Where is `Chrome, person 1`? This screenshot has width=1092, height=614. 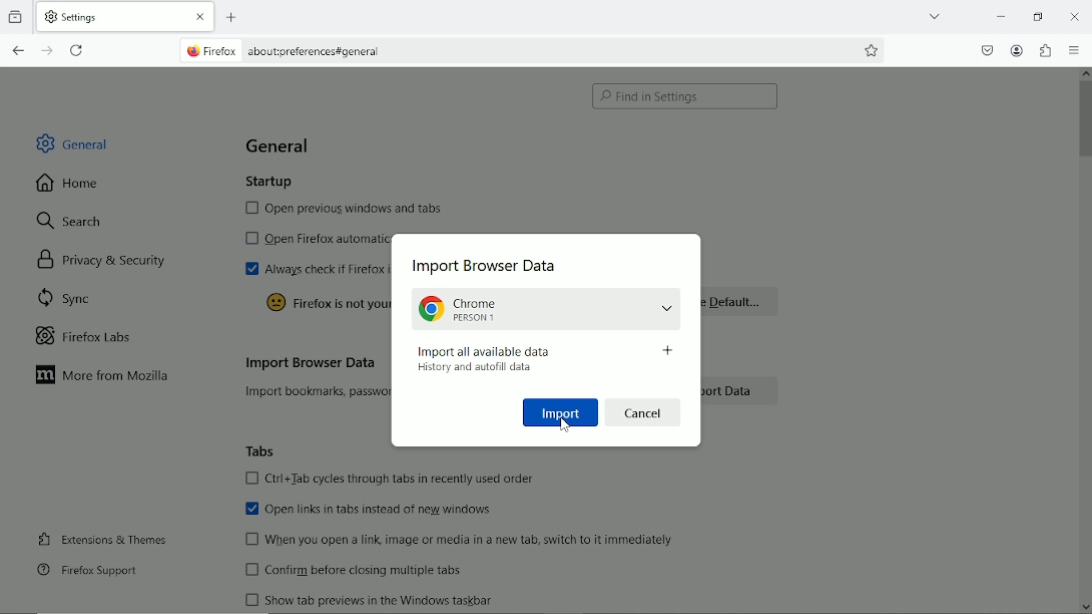 Chrome, person 1 is located at coordinates (541, 310).